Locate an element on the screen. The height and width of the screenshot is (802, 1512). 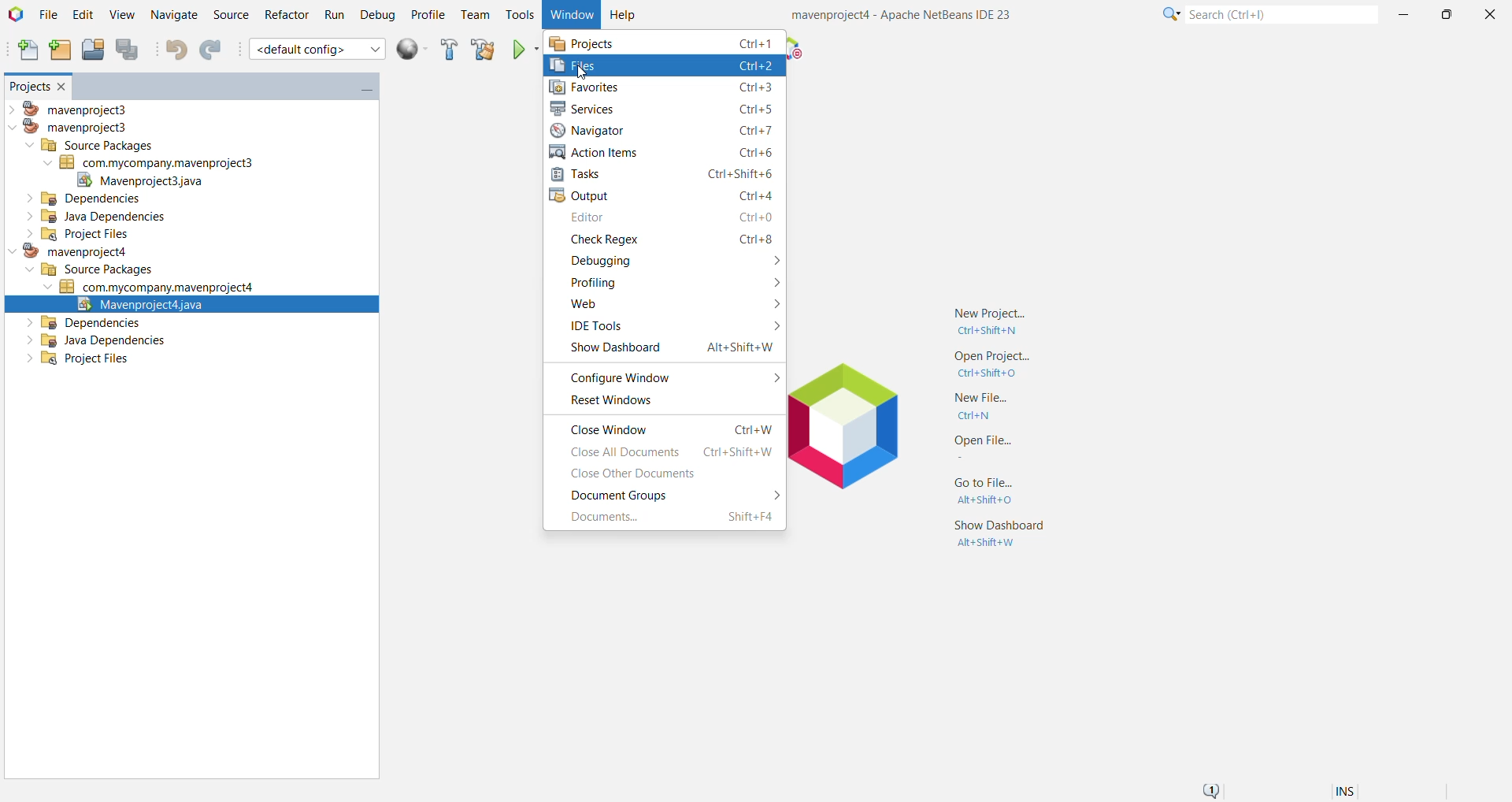
Open File is located at coordinates (977, 447).